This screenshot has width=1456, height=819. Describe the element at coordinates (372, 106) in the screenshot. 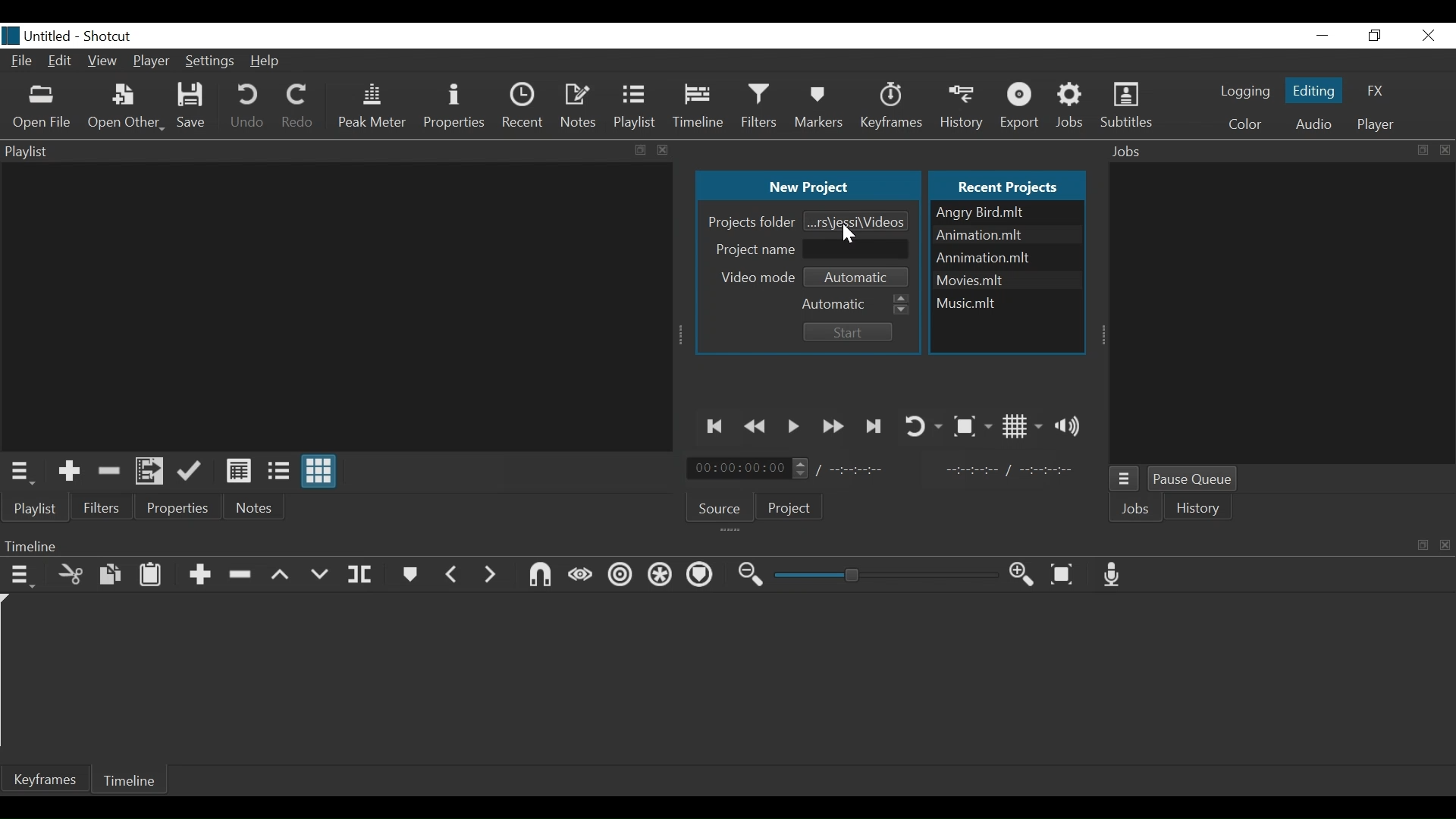

I see `Peak Meter` at that location.